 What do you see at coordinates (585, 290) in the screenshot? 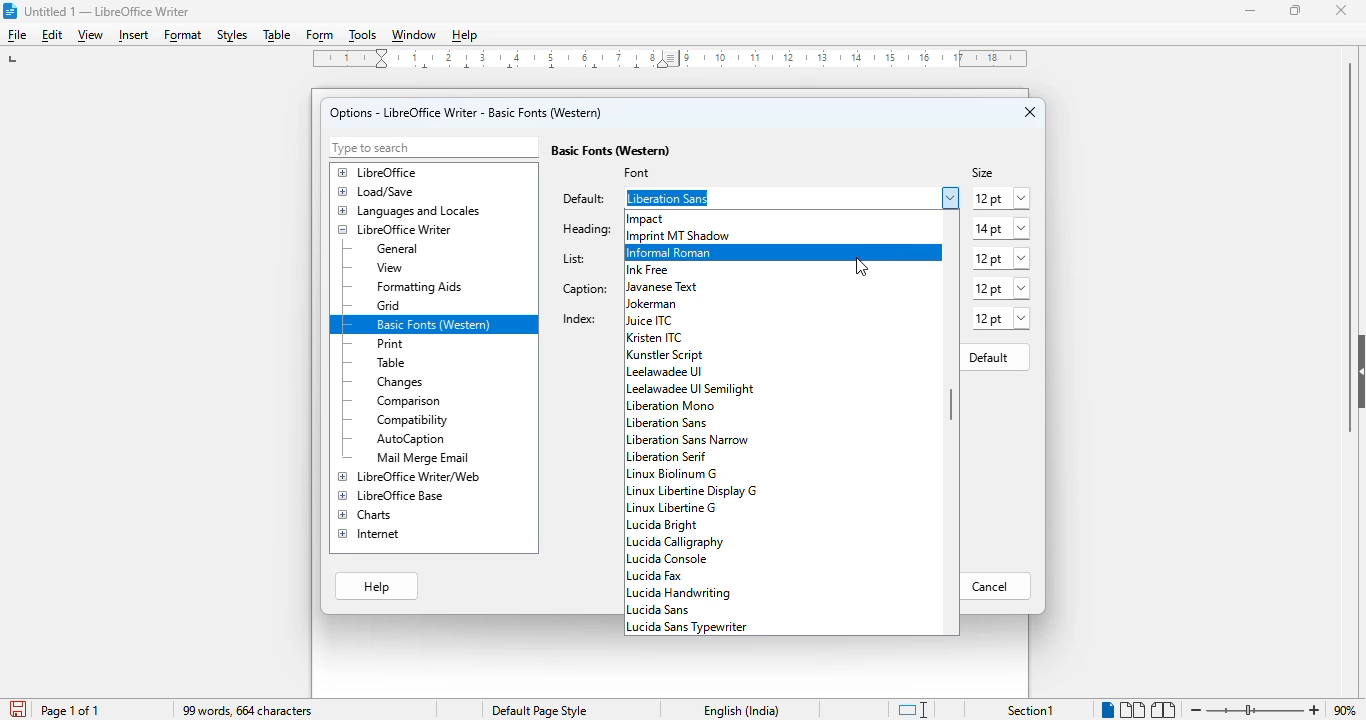
I see `caption: ` at bounding box center [585, 290].